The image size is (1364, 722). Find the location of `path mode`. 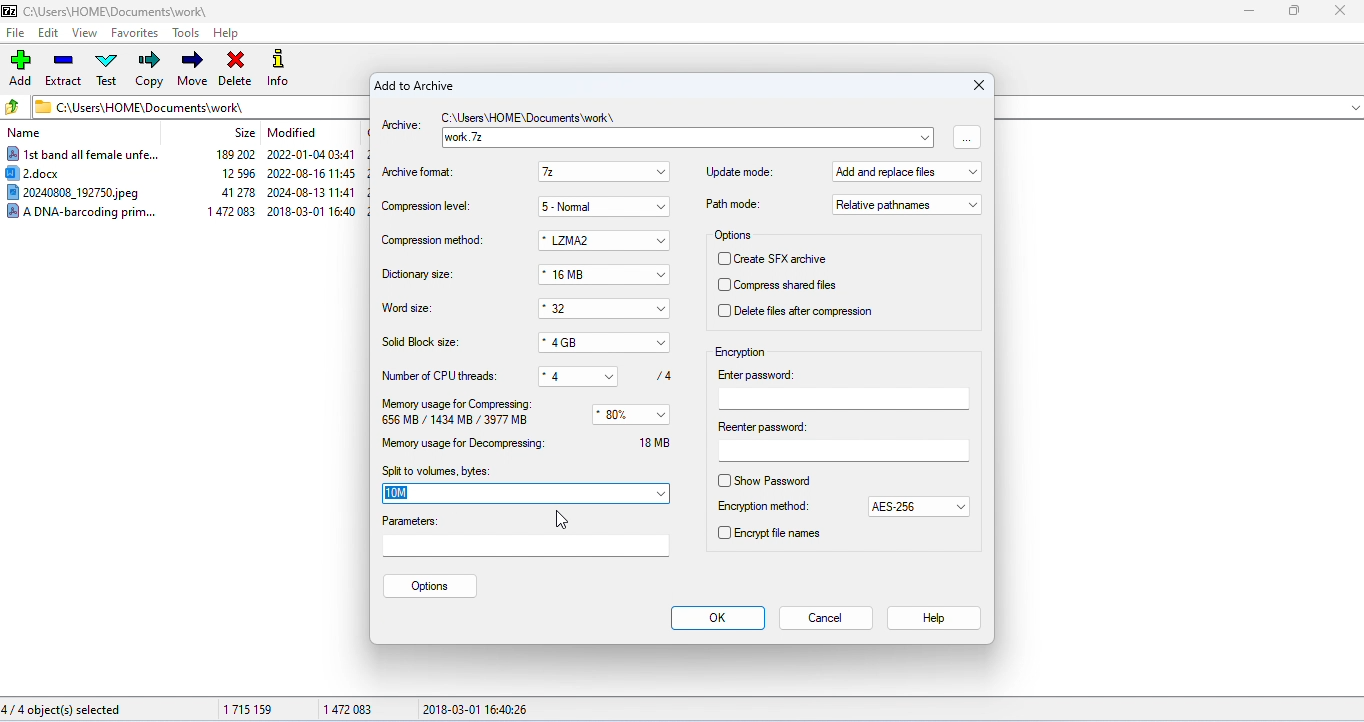

path mode is located at coordinates (733, 204).